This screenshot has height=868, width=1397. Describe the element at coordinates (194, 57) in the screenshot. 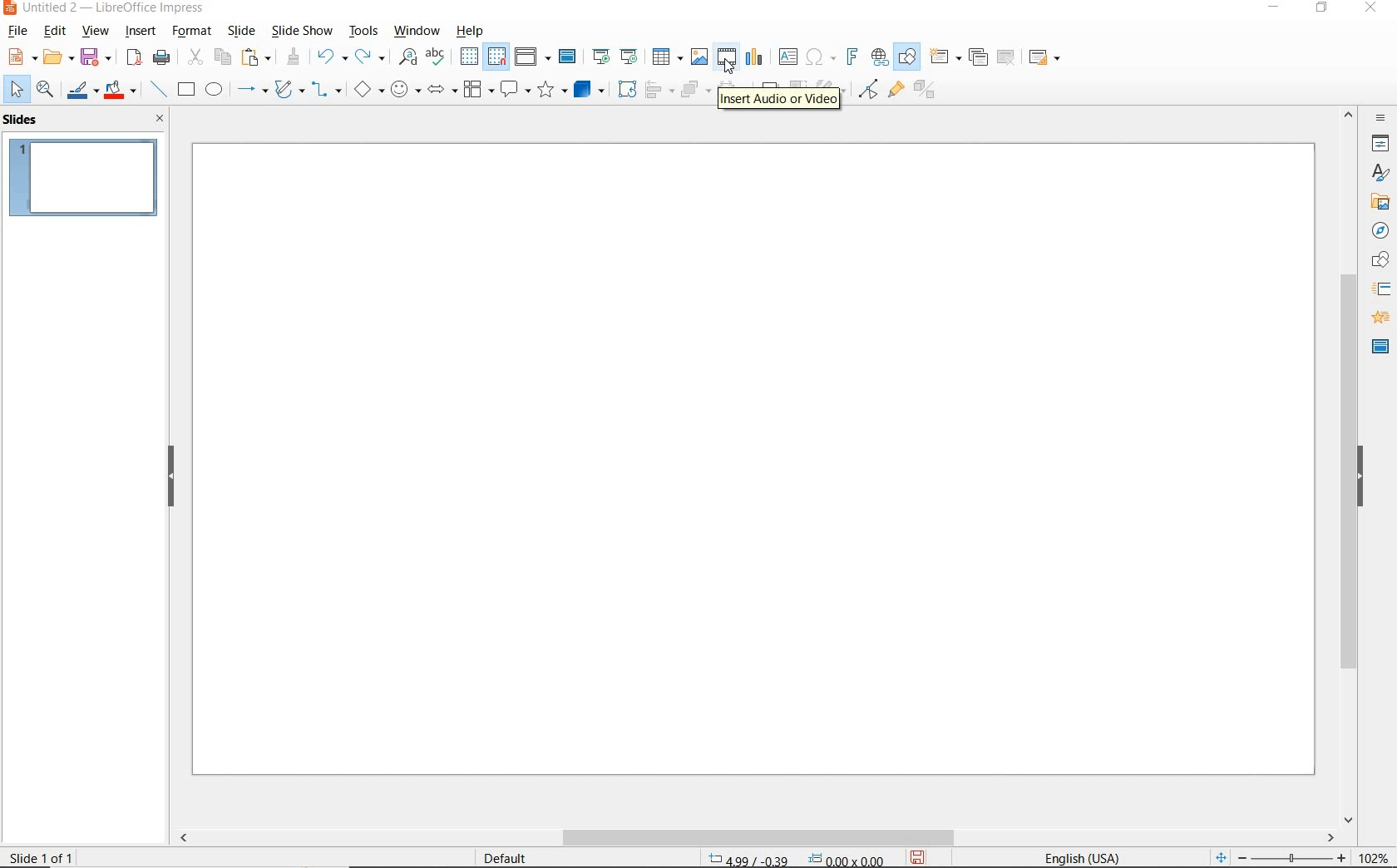

I see `CUT` at that location.